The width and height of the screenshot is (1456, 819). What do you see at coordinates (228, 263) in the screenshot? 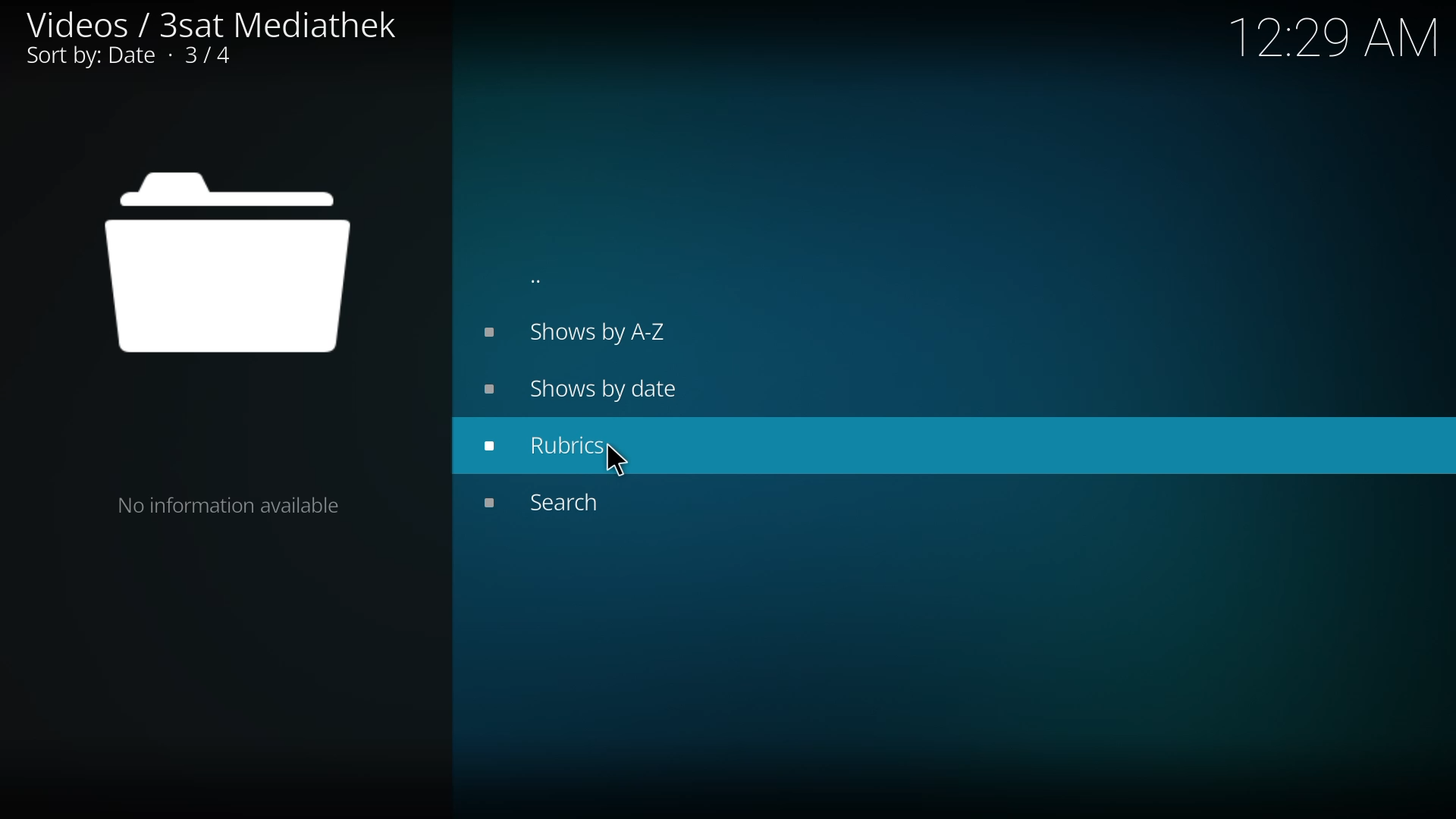
I see `folder` at bounding box center [228, 263].